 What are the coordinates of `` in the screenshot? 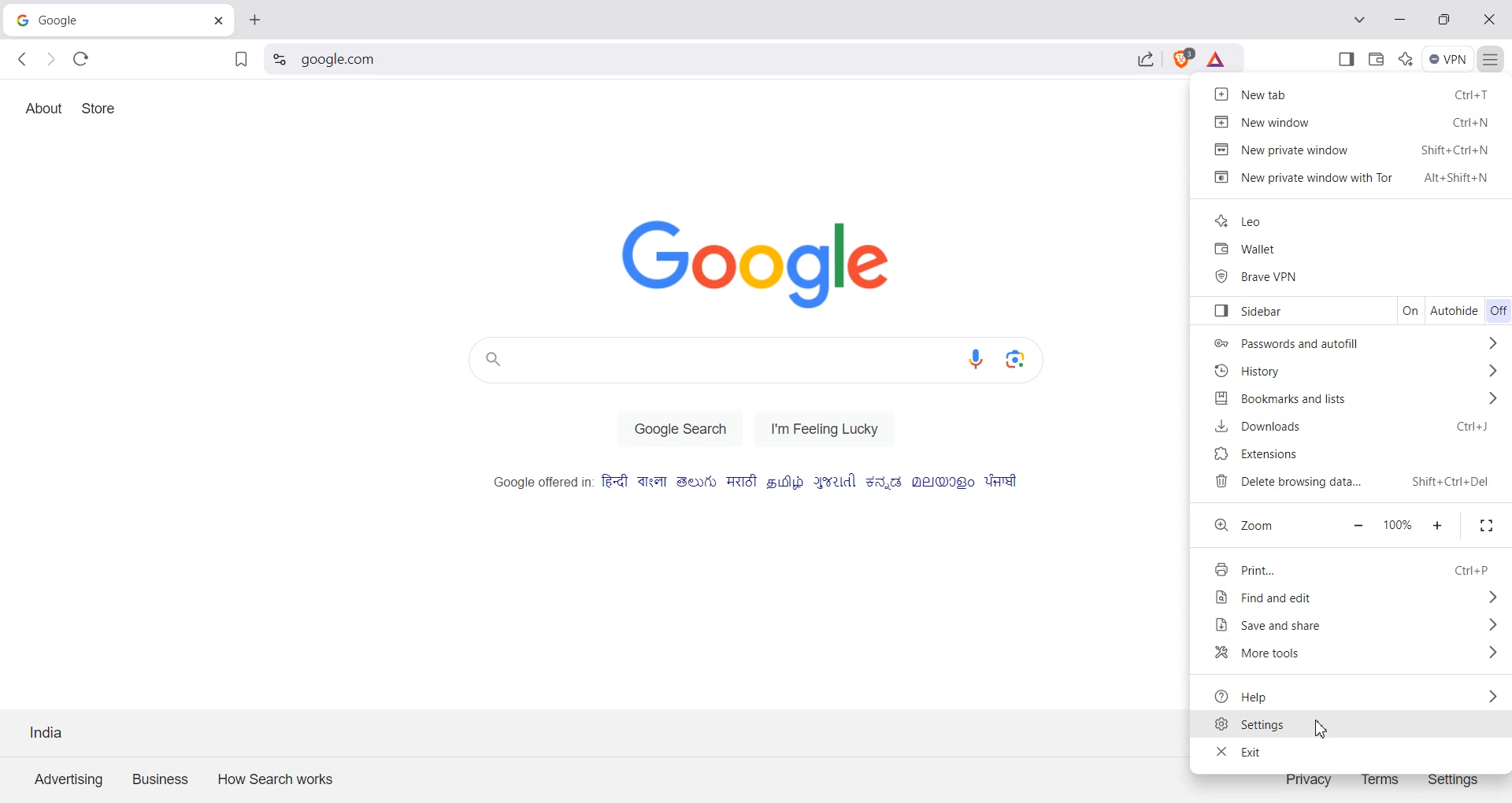 It's located at (1448, 59).